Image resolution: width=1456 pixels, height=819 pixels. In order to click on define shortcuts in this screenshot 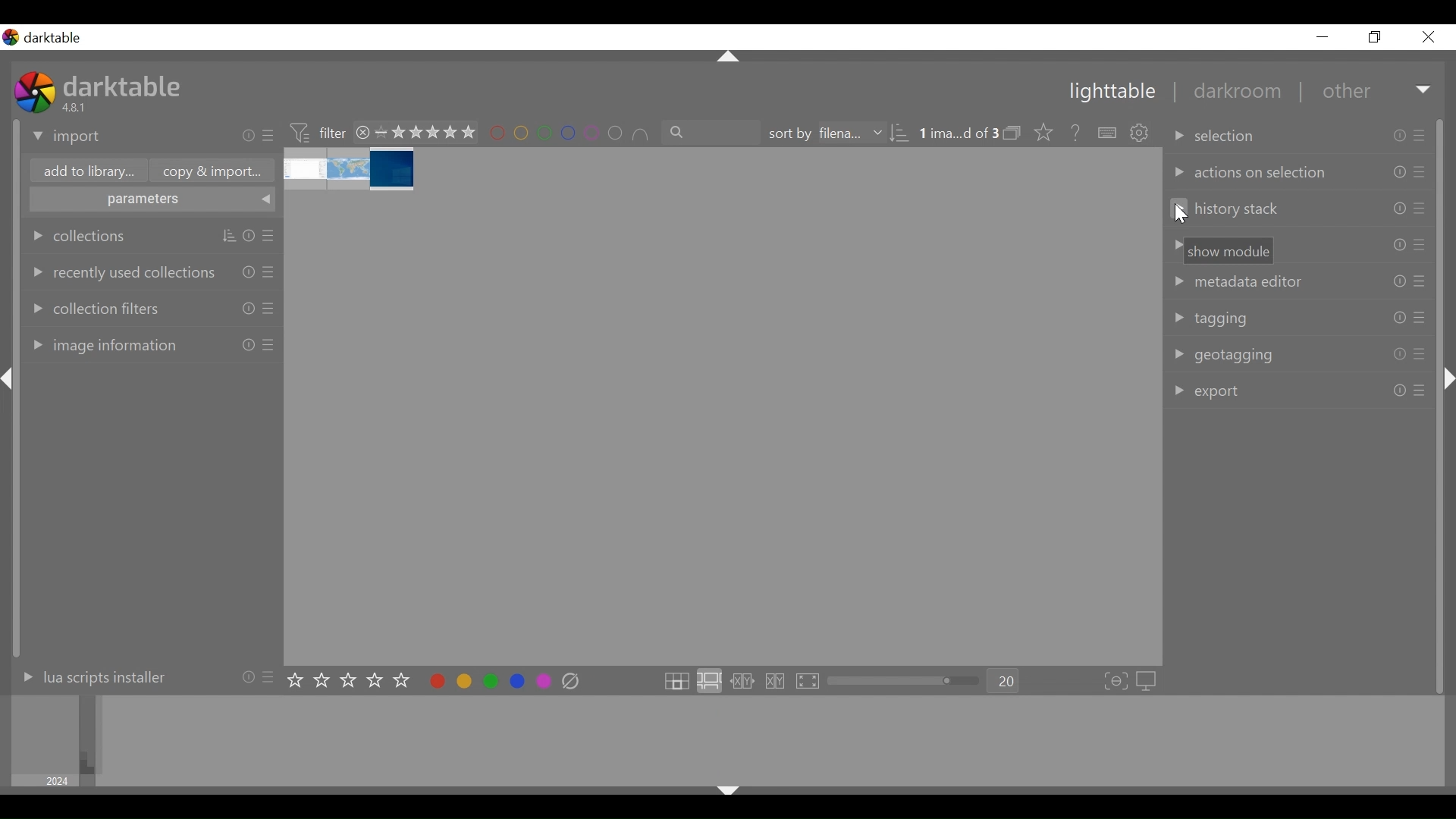, I will do `click(1109, 133)`.